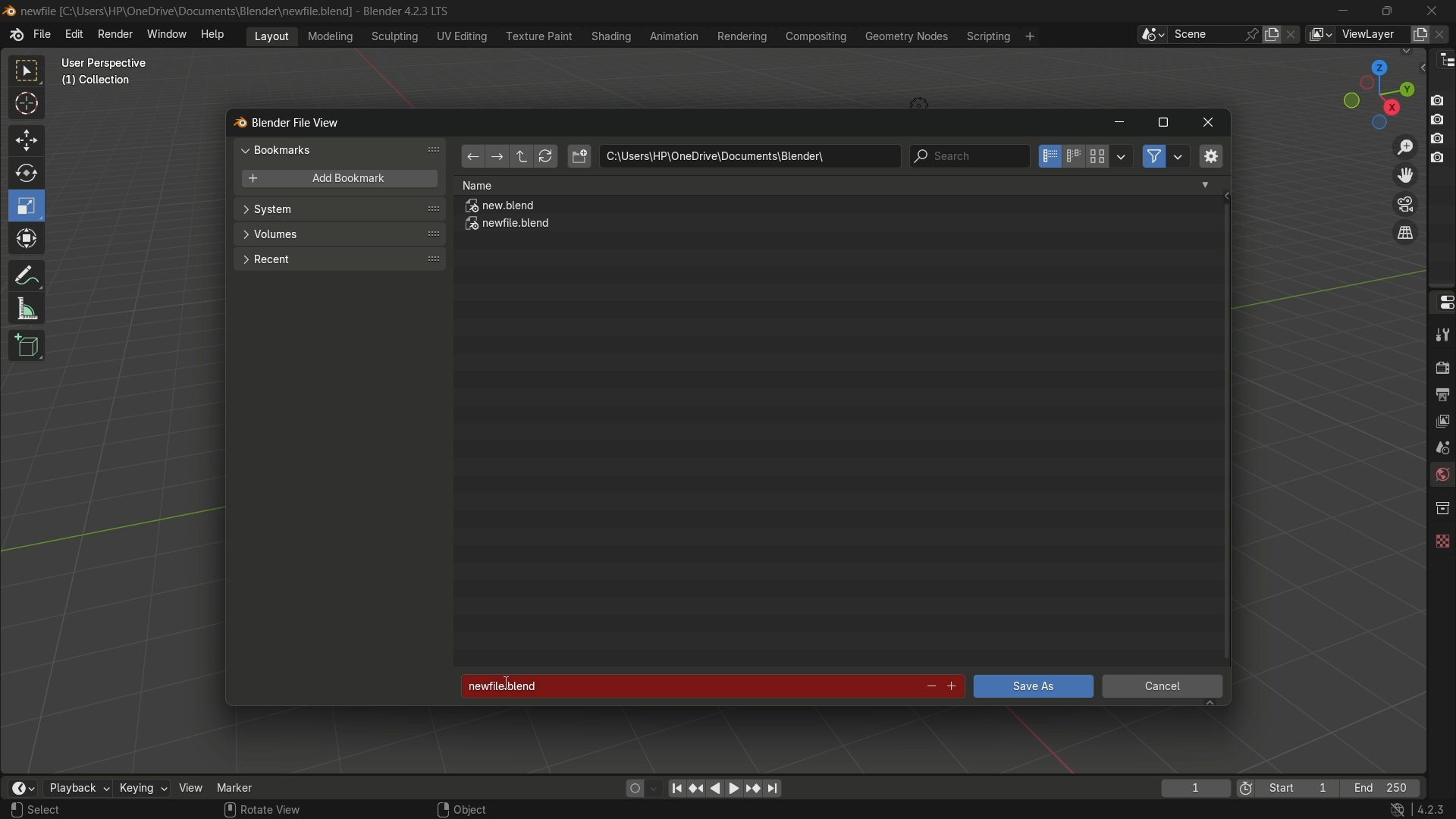 This screenshot has width=1456, height=819. What do you see at coordinates (1319, 34) in the screenshot?
I see `view layer` at bounding box center [1319, 34].